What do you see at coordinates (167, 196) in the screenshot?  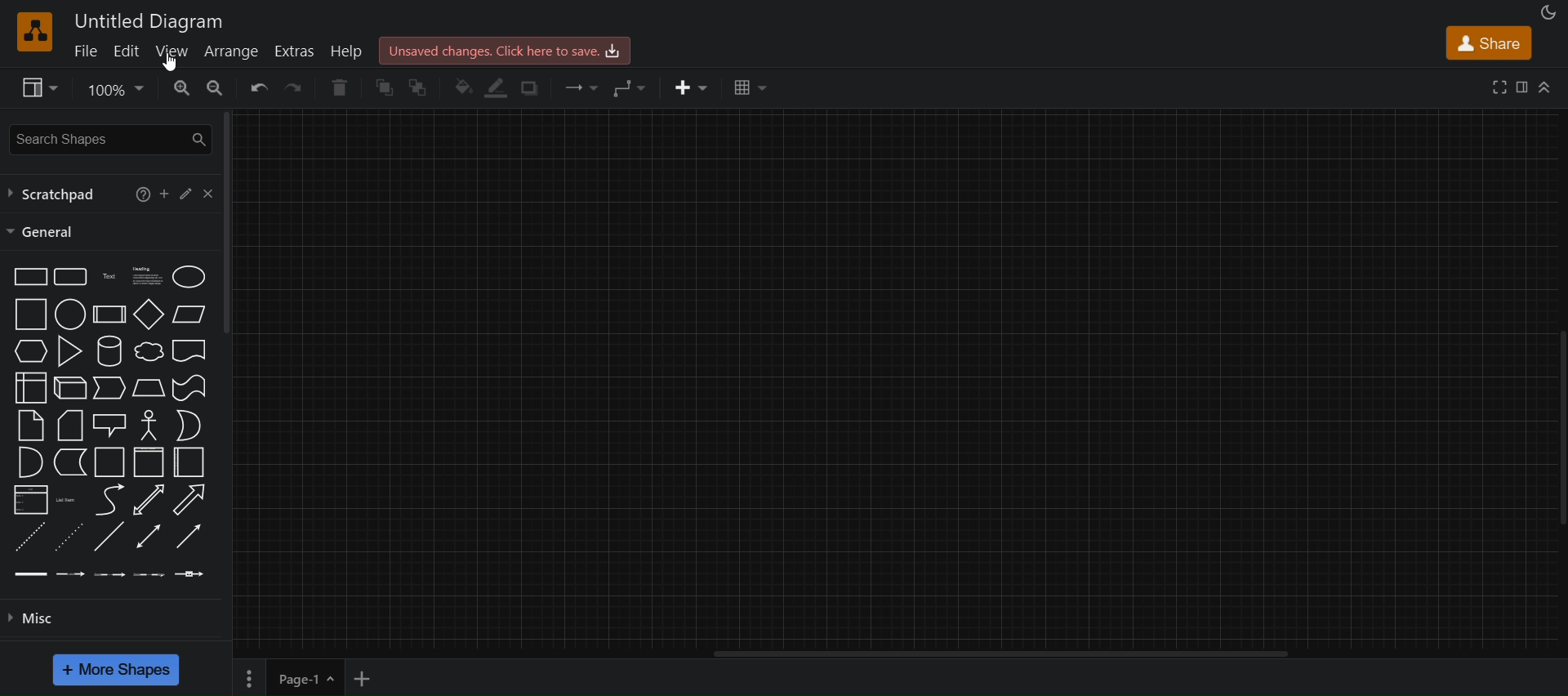 I see `add` at bounding box center [167, 196].